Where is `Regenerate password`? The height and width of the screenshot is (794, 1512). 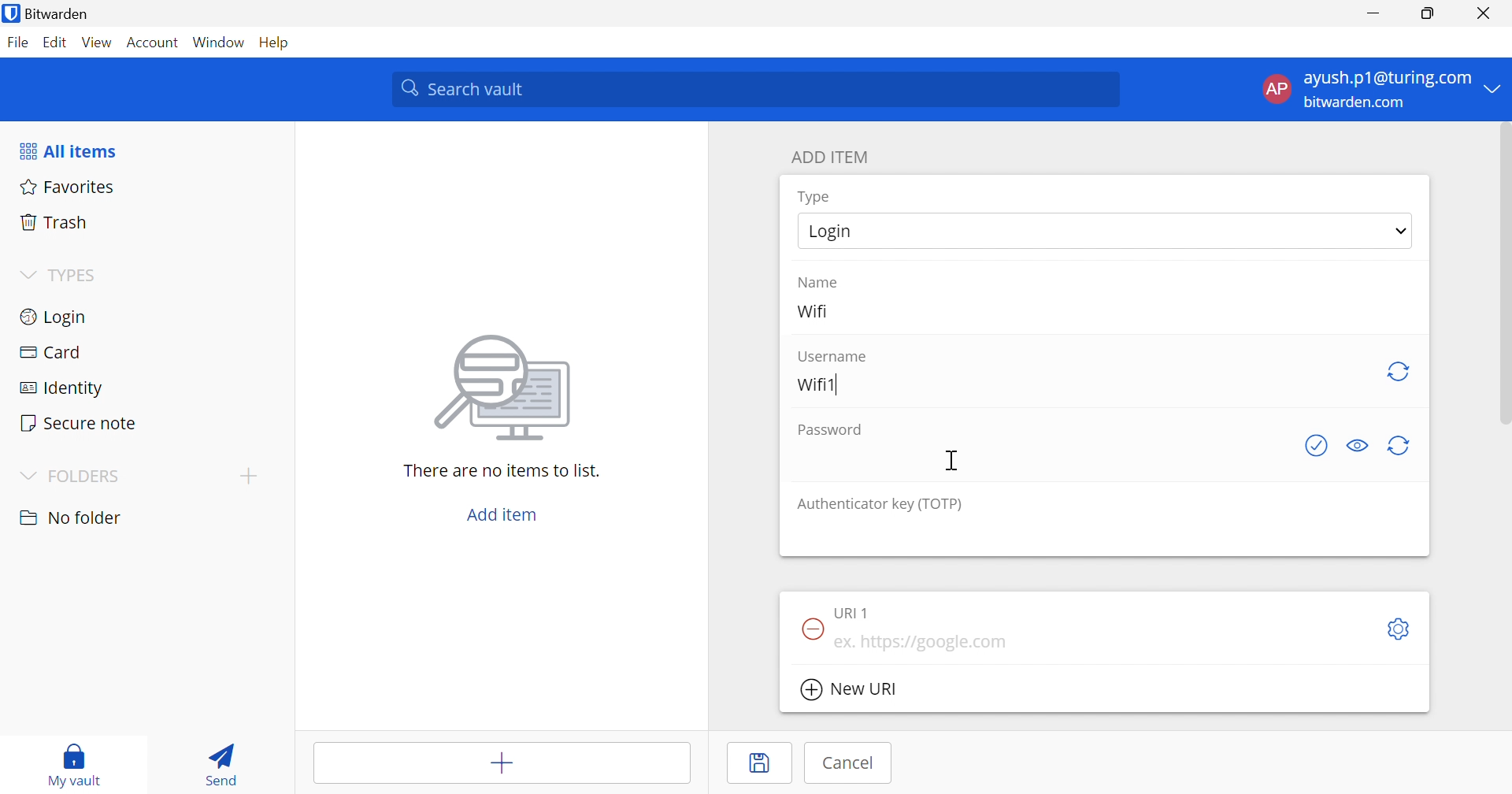
Regenerate password is located at coordinates (1400, 447).